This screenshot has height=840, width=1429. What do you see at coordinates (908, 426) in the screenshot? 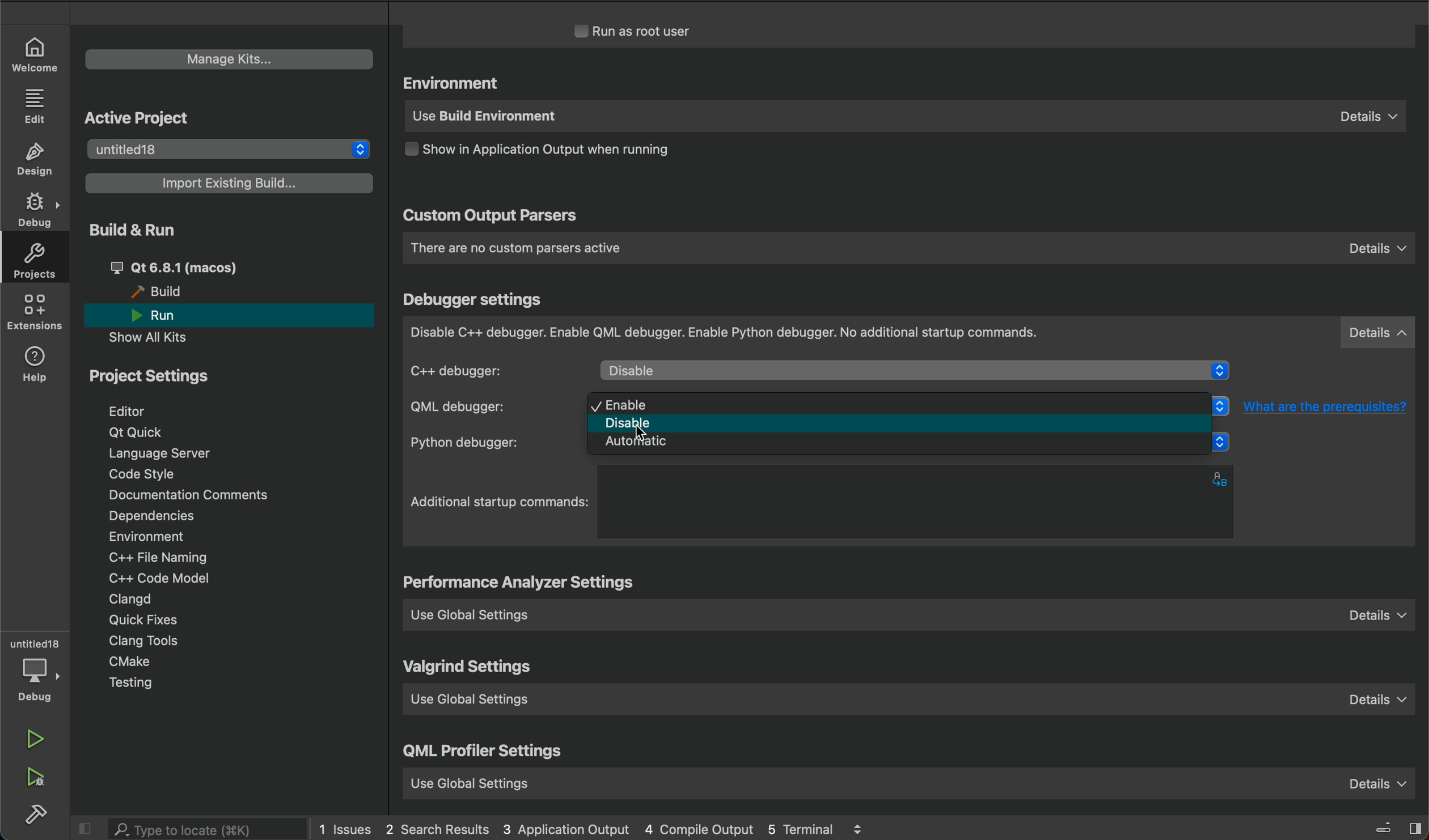
I see `disable` at bounding box center [908, 426].